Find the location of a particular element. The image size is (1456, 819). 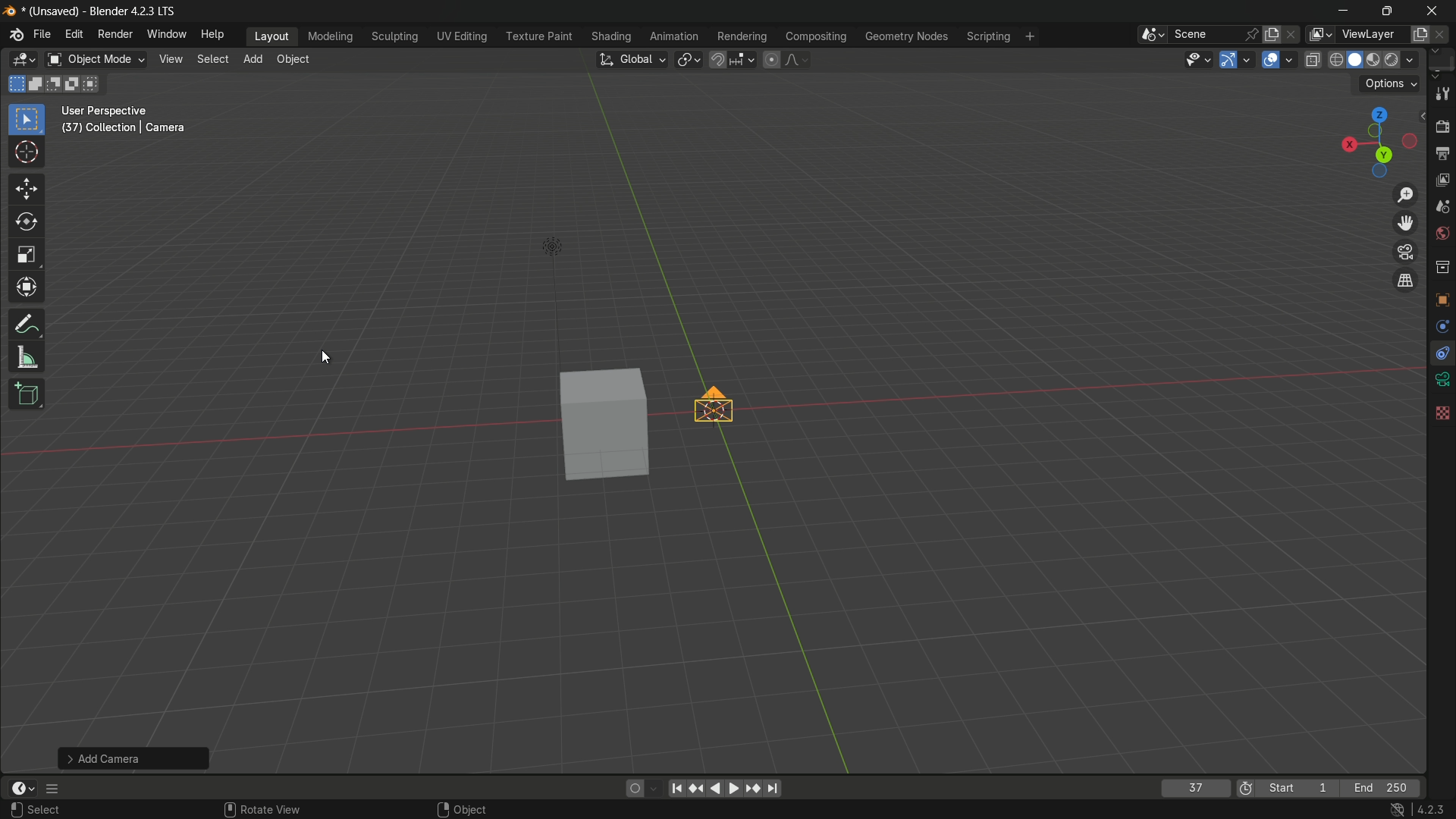

modeling menu is located at coordinates (331, 37).